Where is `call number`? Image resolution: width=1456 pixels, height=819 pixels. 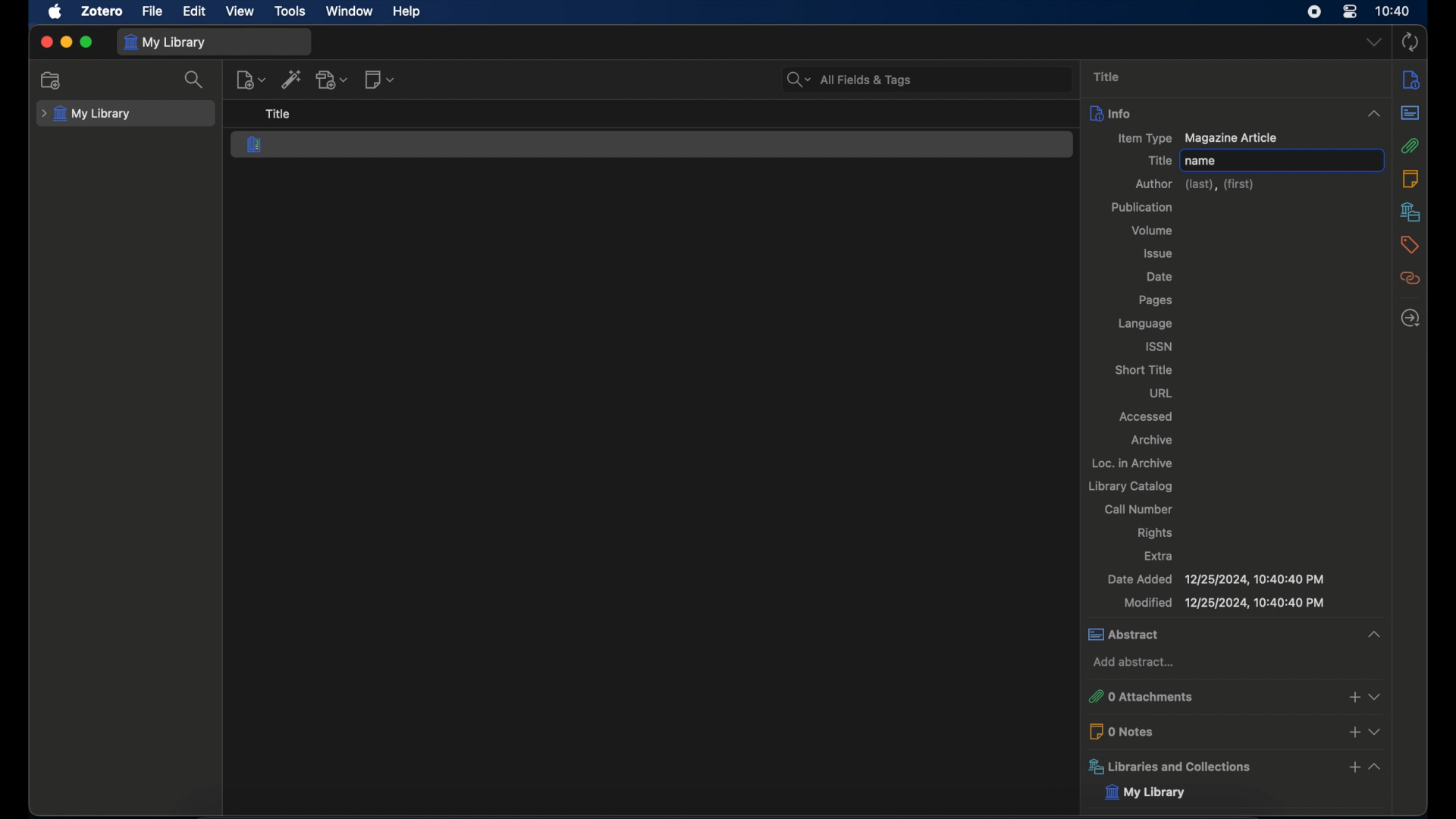 call number is located at coordinates (1138, 509).